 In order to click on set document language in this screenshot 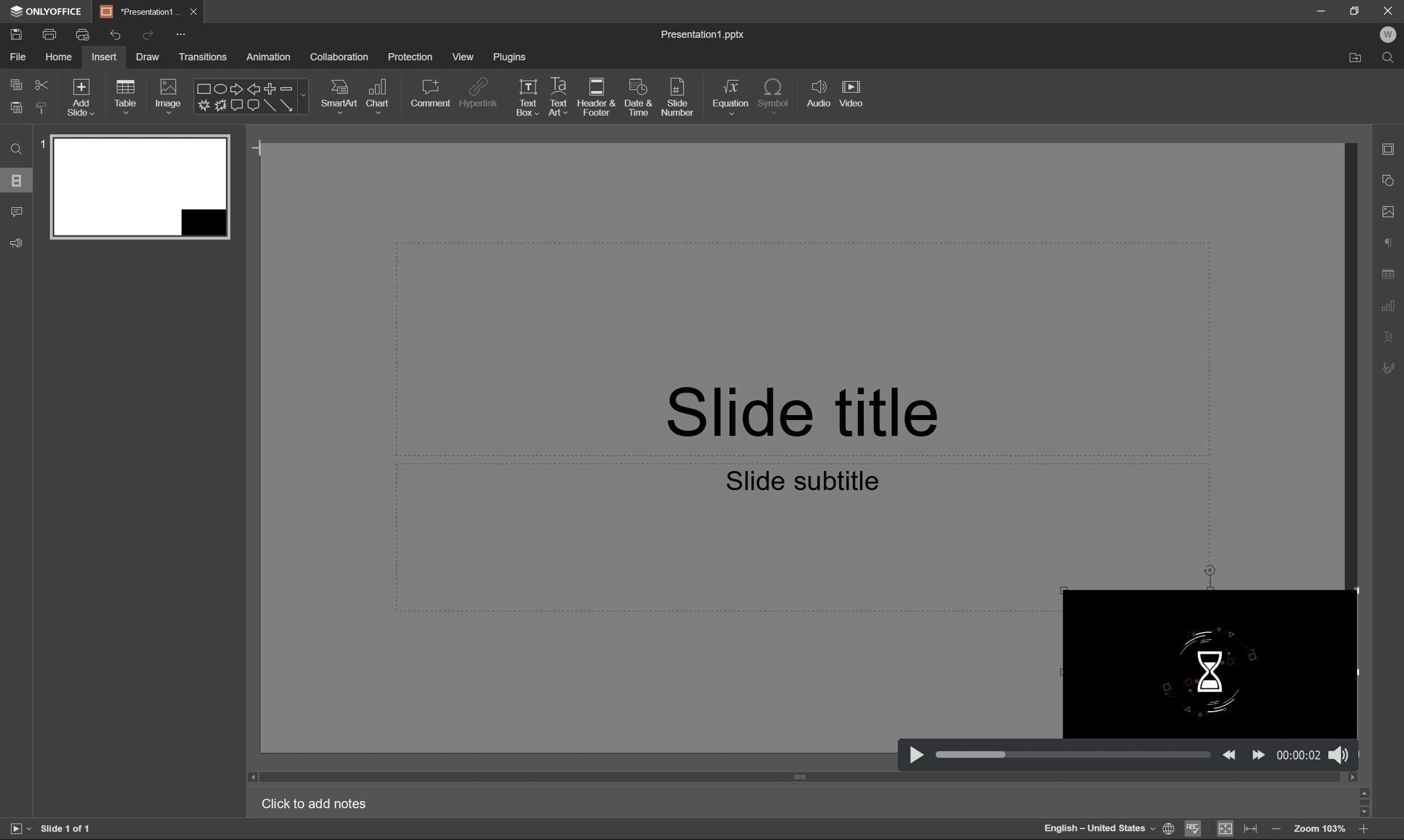, I will do `click(1169, 828)`.